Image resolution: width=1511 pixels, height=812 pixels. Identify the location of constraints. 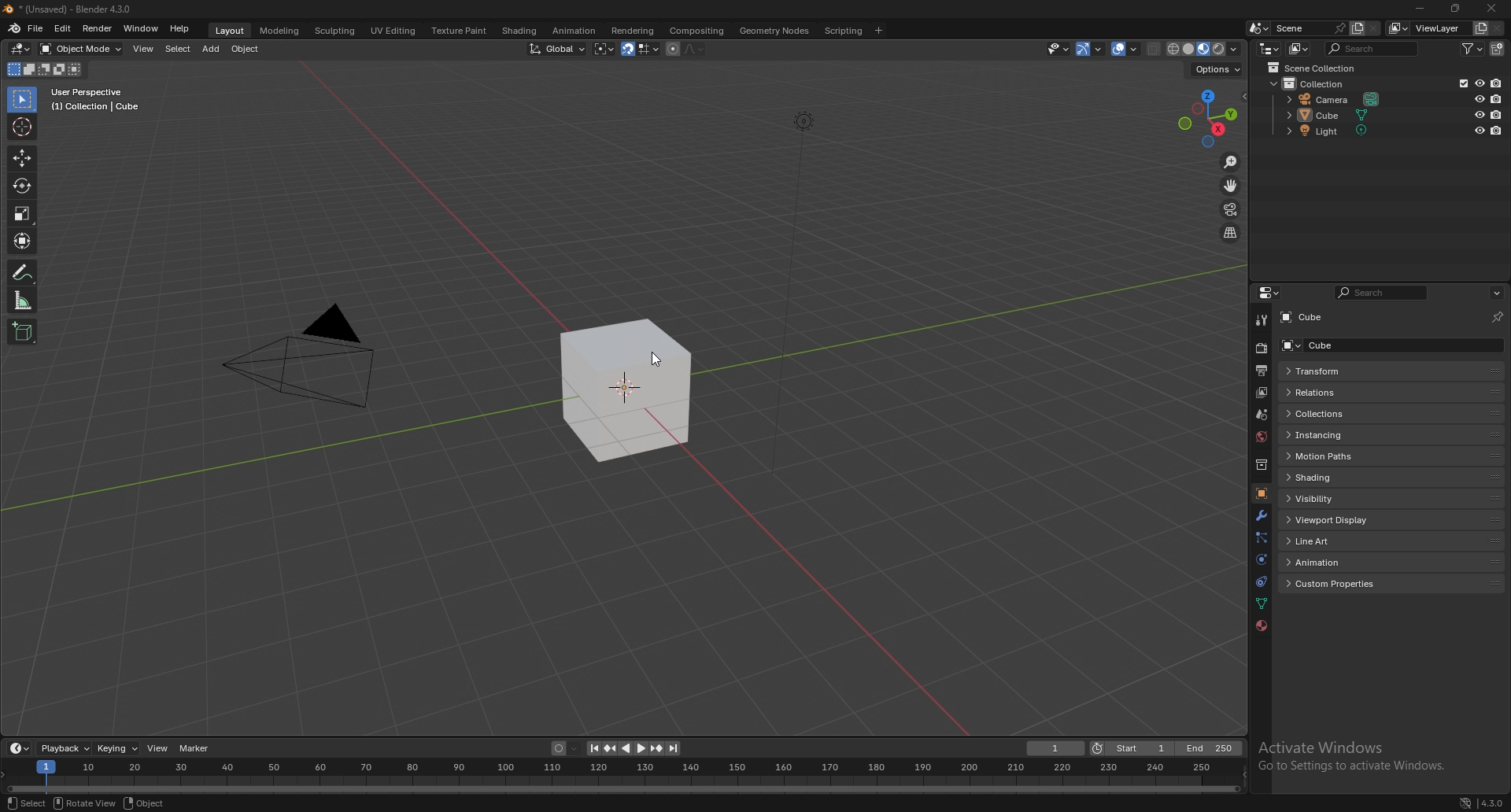
(1258, 582).